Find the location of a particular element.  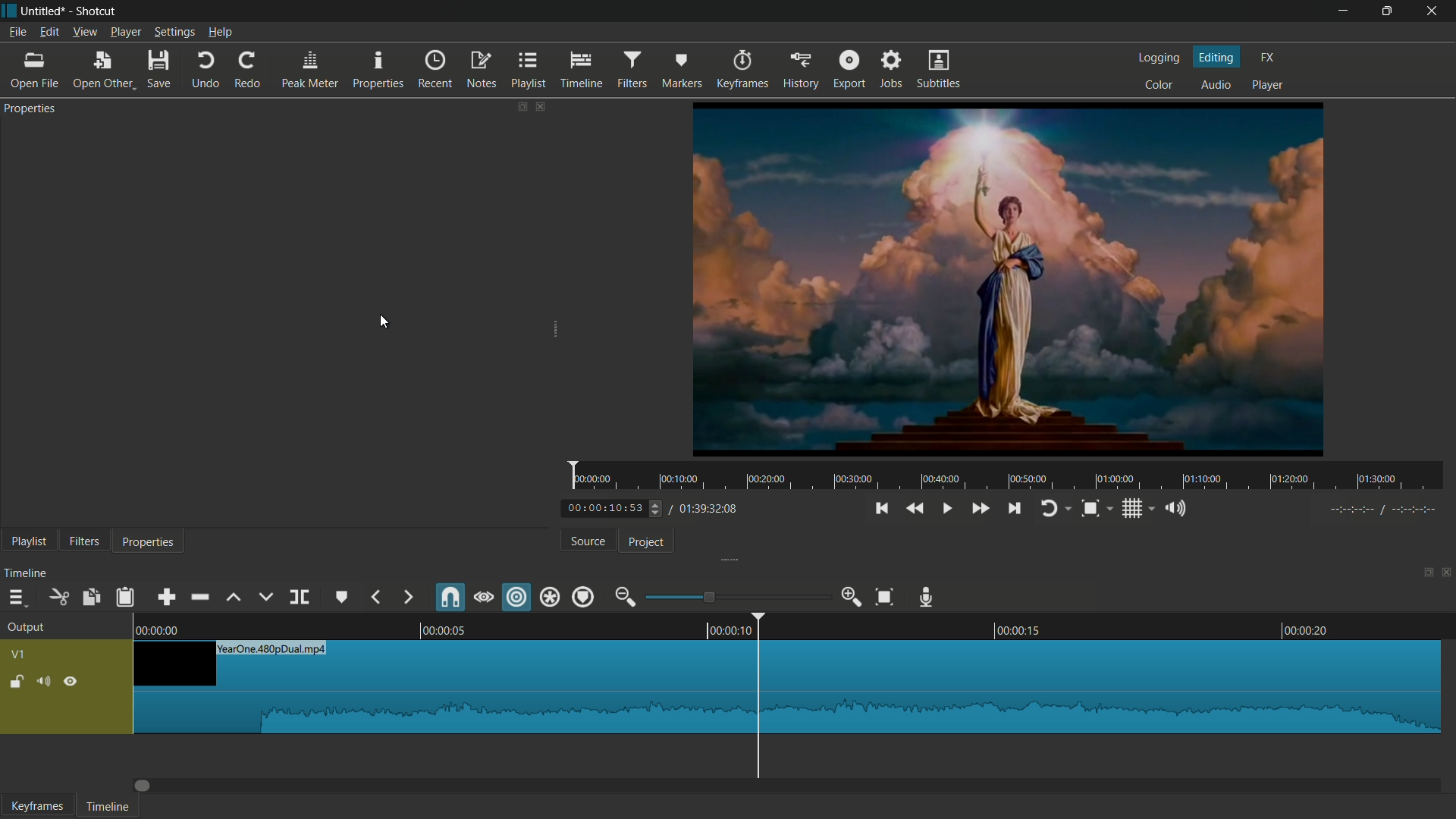

video in timeline is located at coordinates (790, 689).